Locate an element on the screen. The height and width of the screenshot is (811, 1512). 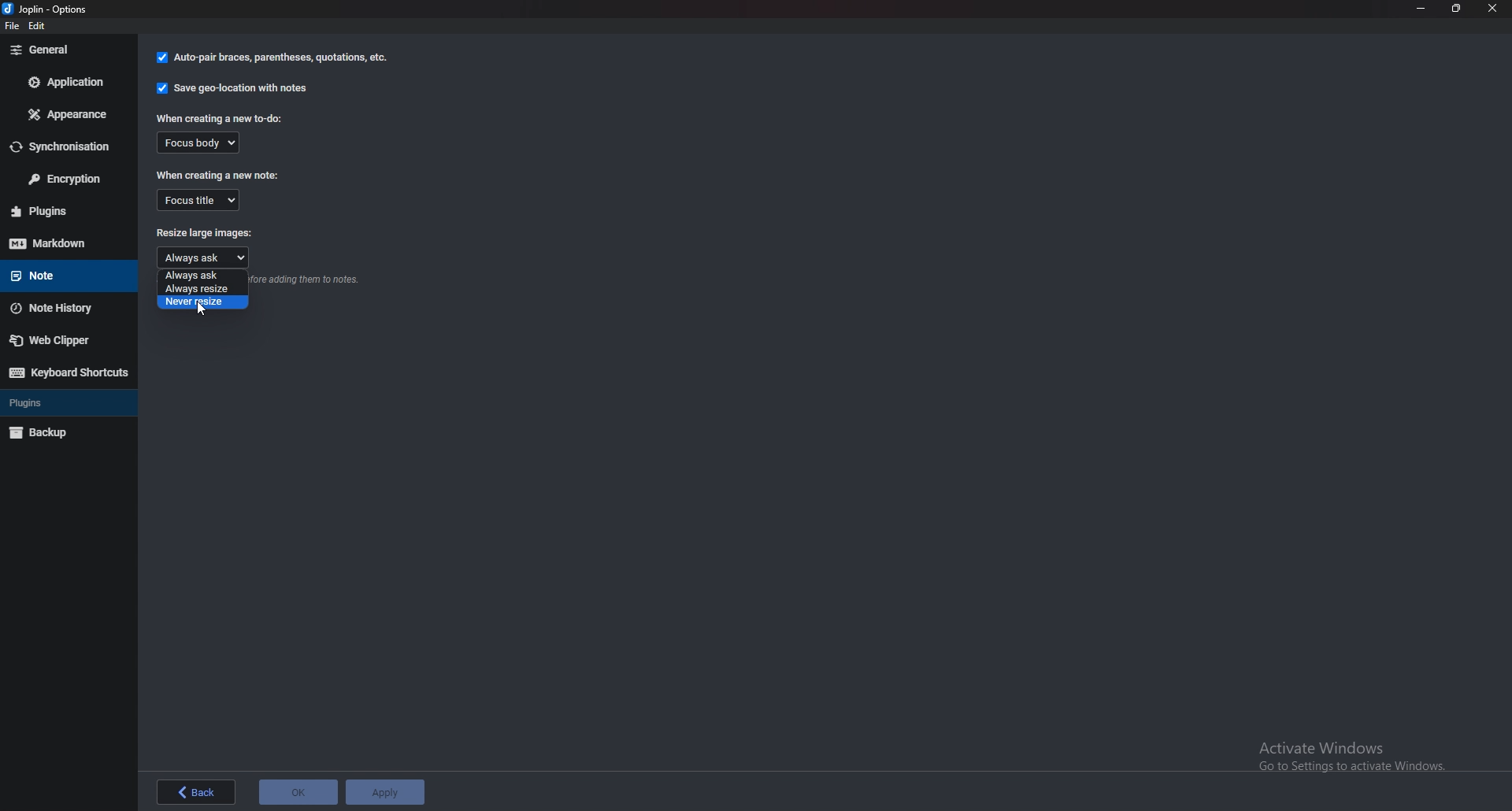
Application is located at coordinates (66, 82).